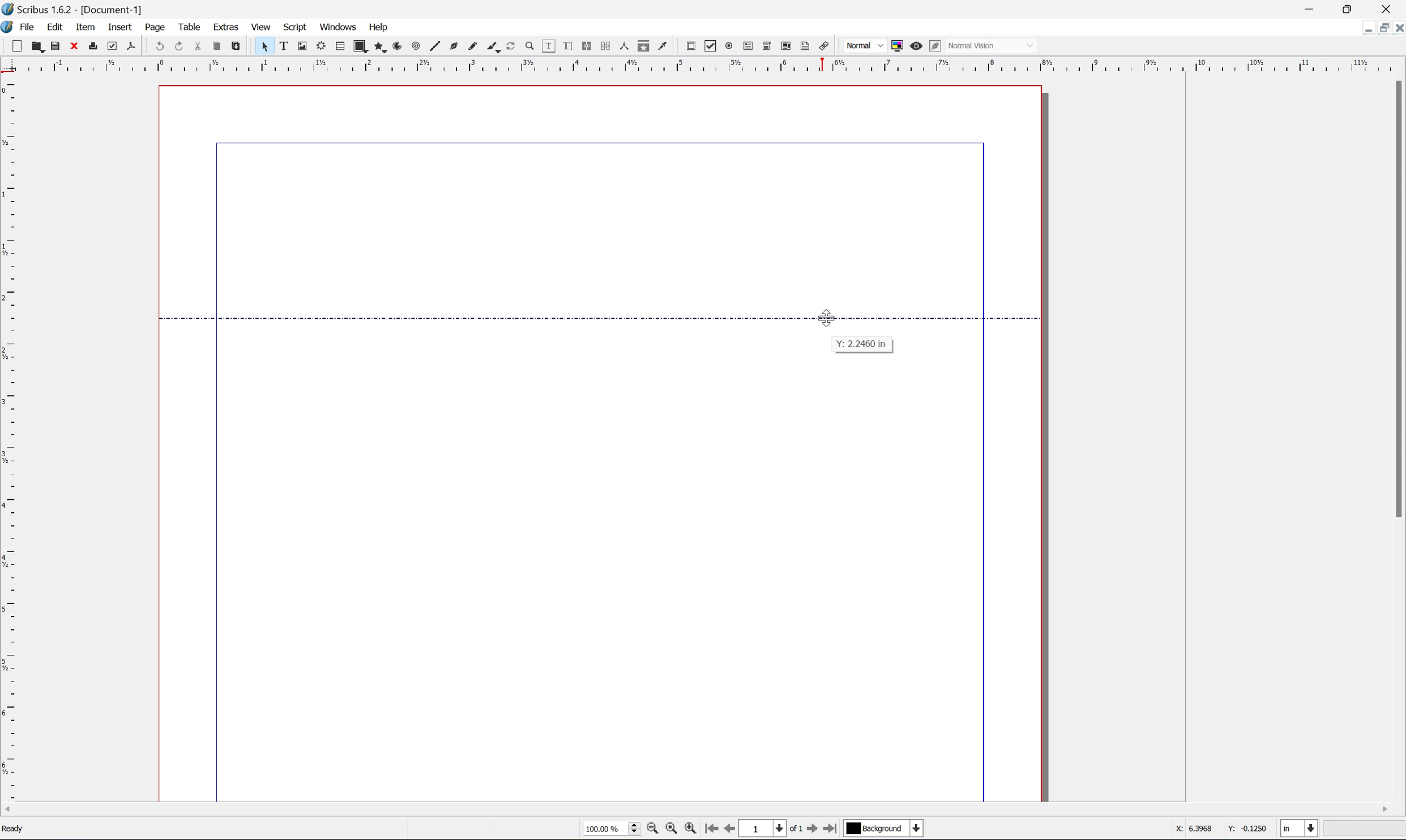 The width and height of the screenshot is (1406, 840). Describe the element at coordinates (54, 45) in the screenshot. I see `save` at that location.